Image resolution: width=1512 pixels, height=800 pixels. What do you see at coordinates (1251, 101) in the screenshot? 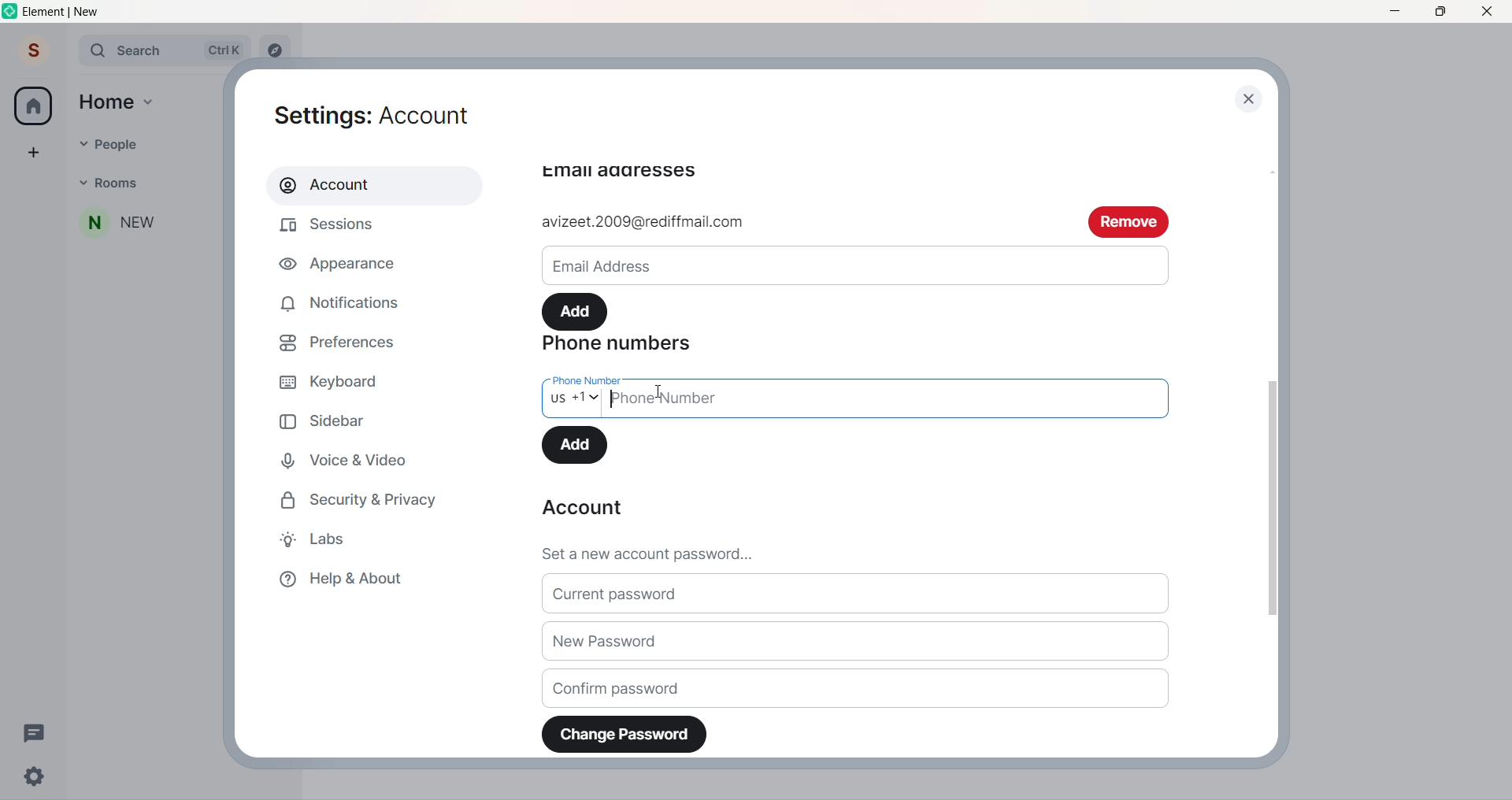
I see `close` at bounding box center [1251, 101].